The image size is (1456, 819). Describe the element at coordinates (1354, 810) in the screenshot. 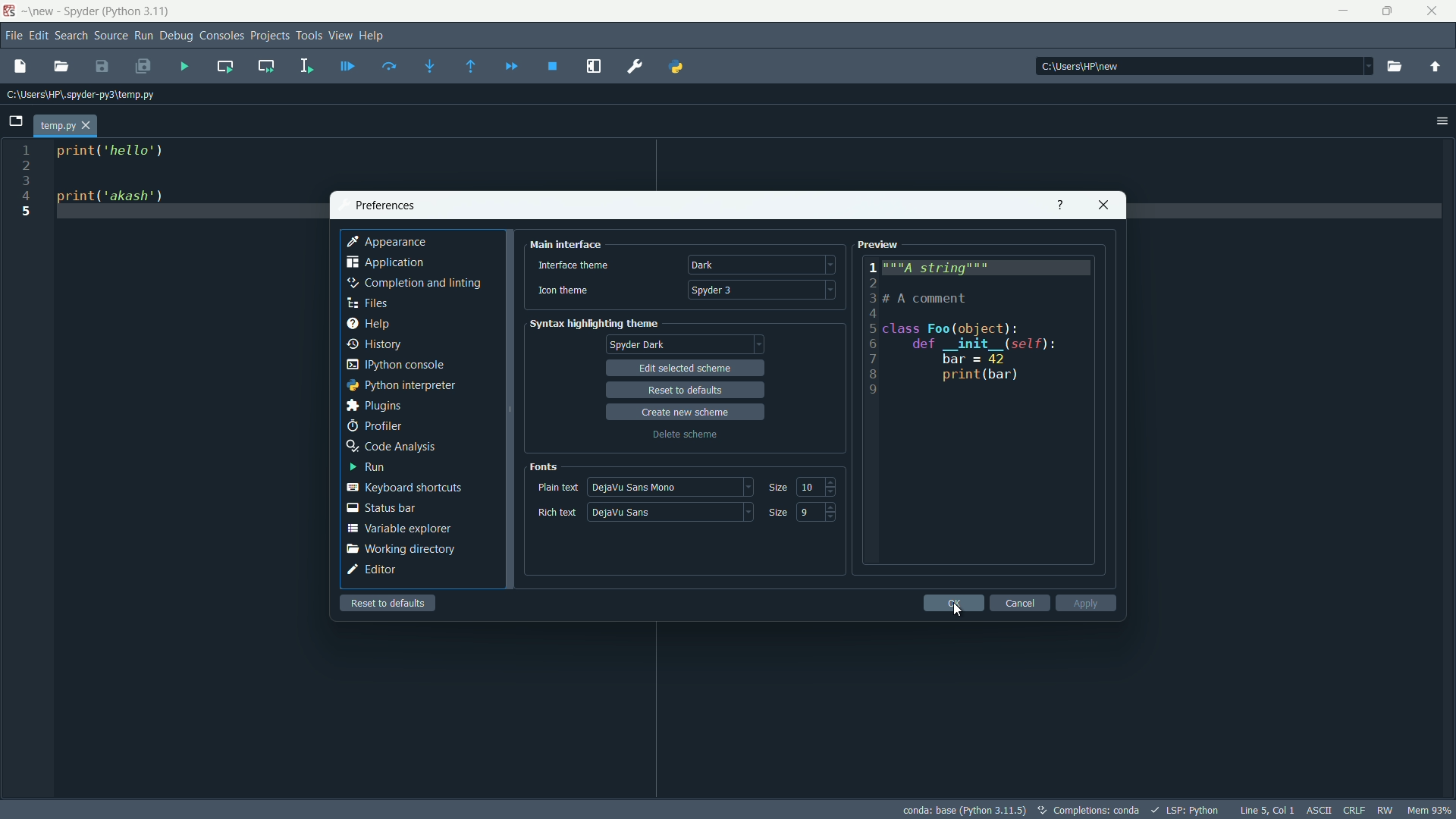

I see `CRLF` at that location.